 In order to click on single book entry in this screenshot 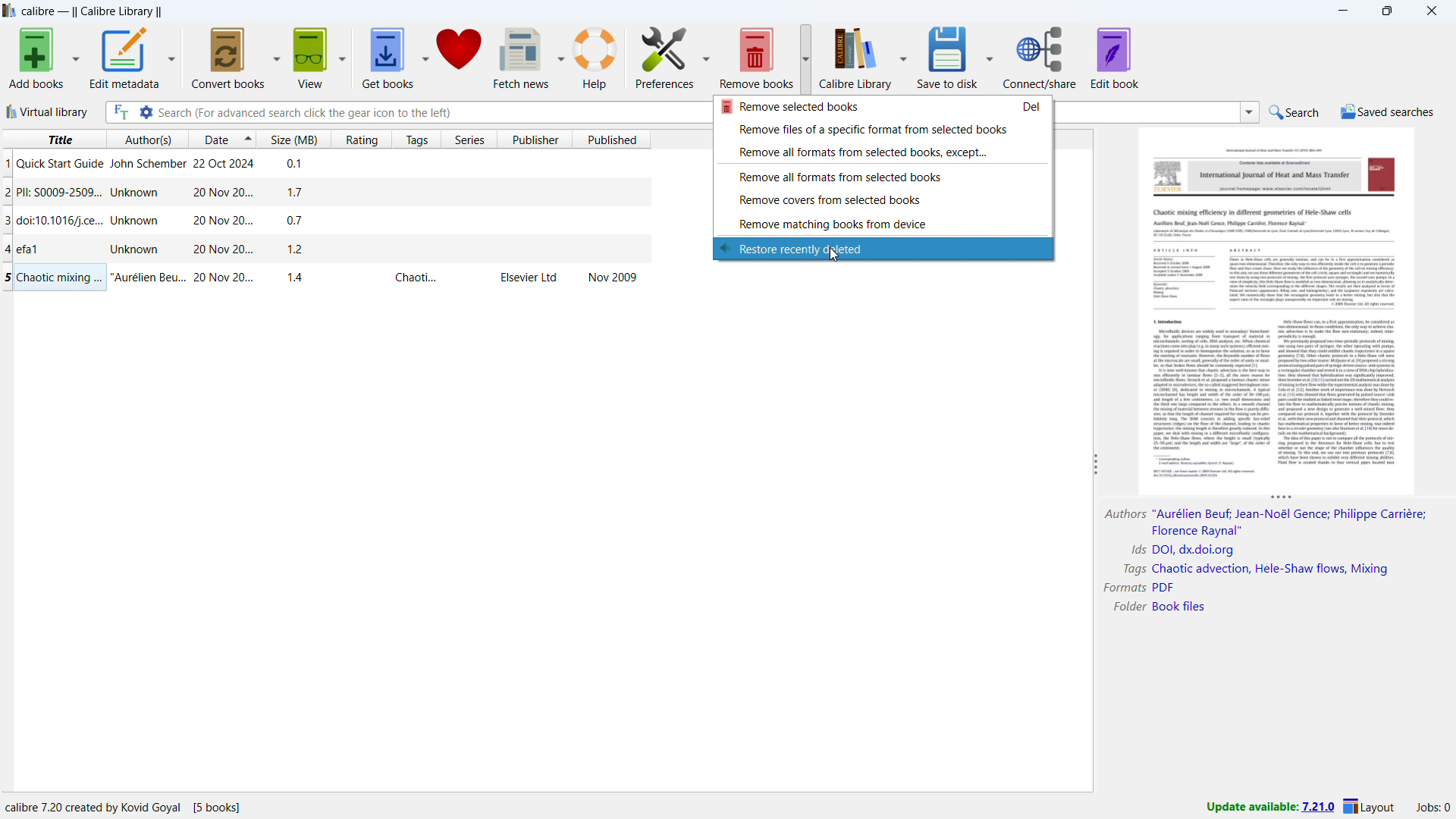, I will do `click(326, 165)`.